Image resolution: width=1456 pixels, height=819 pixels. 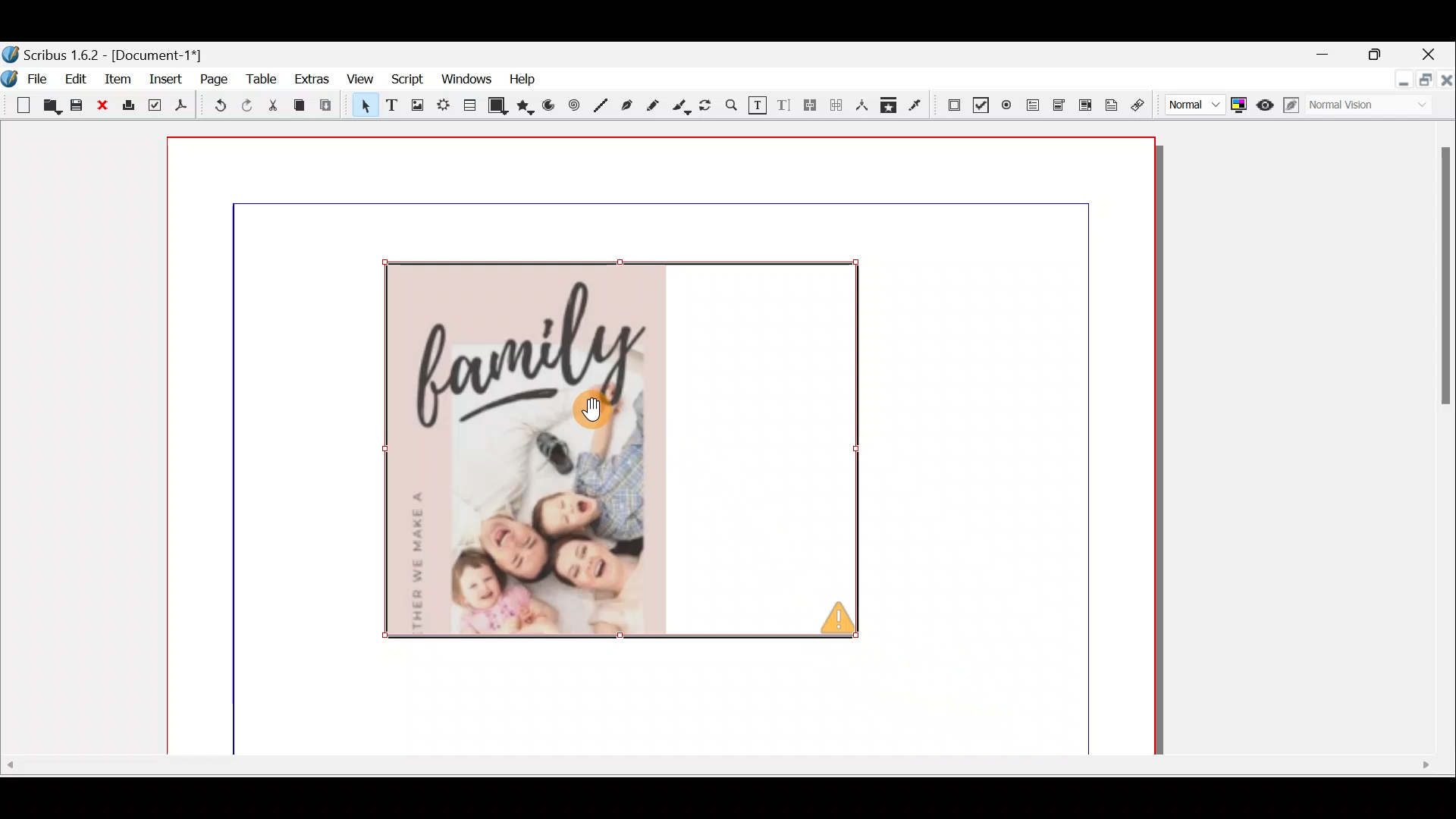 What do you see at coordinates (783, 104) in the screenshot?
I see `Edit text with story editor` at bounding box center [783, 104].